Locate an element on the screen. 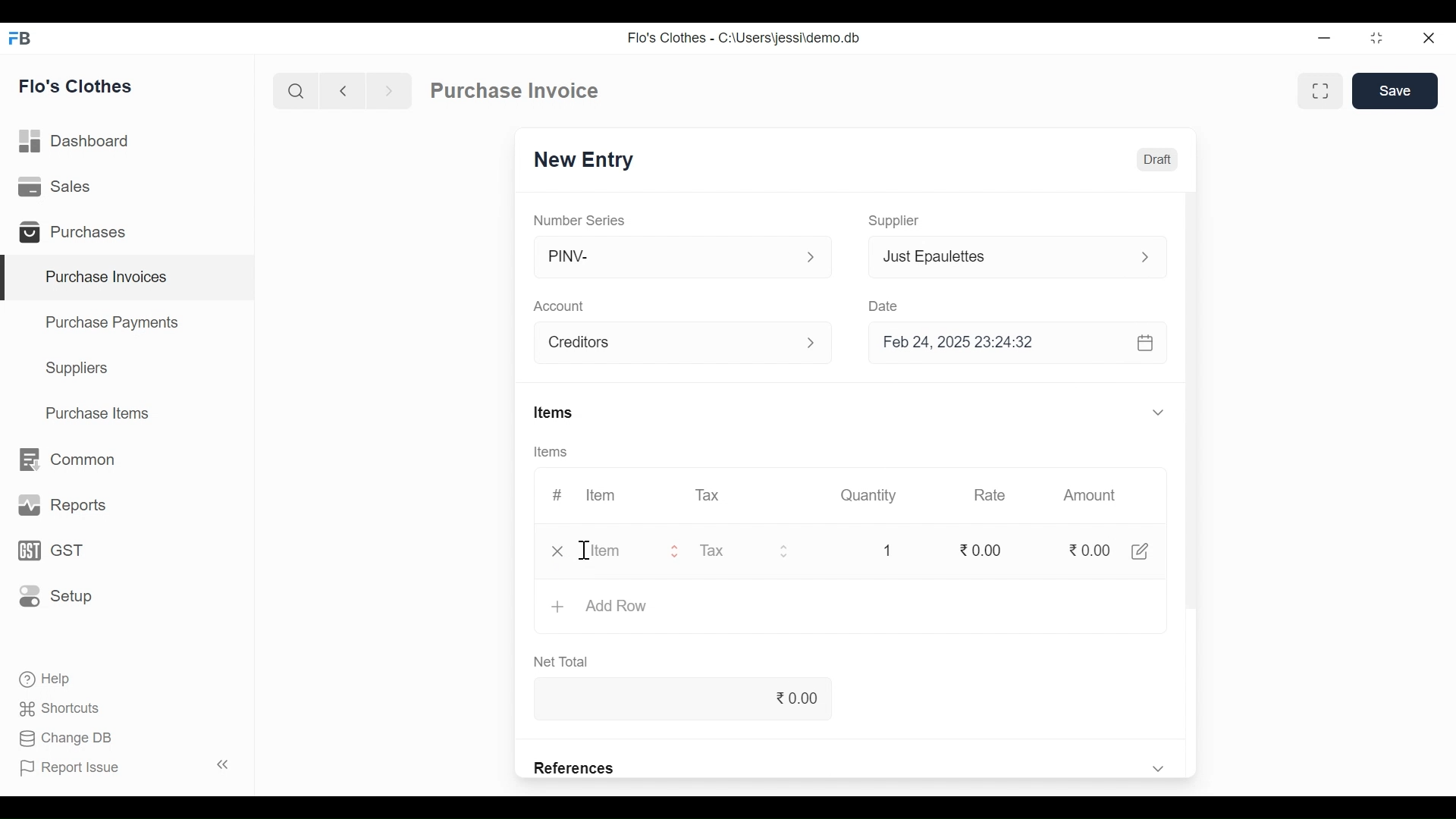  Search is located at coordinates (297, 90).